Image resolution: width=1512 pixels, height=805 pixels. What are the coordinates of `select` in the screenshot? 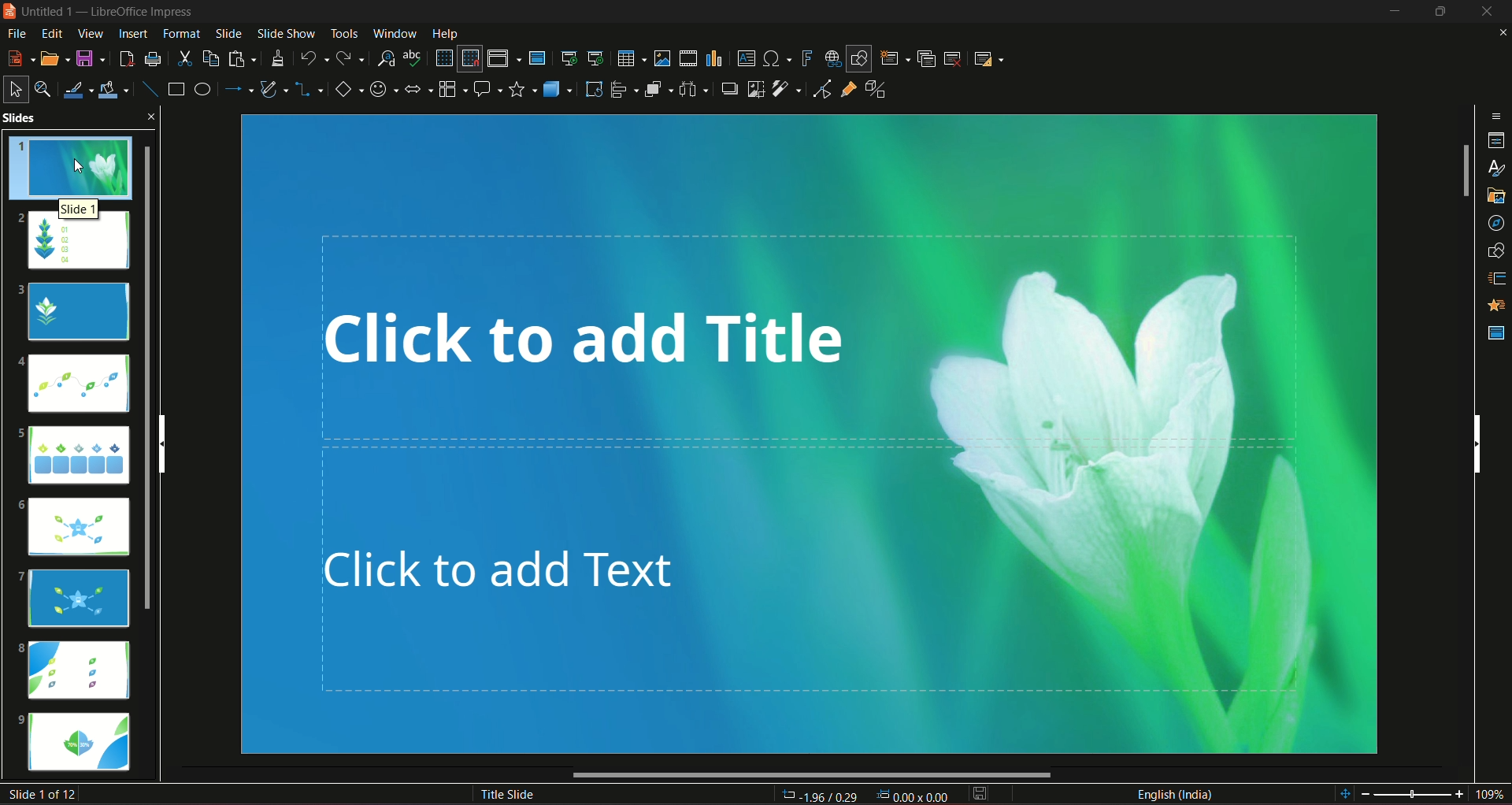 It's located at (16, 87).